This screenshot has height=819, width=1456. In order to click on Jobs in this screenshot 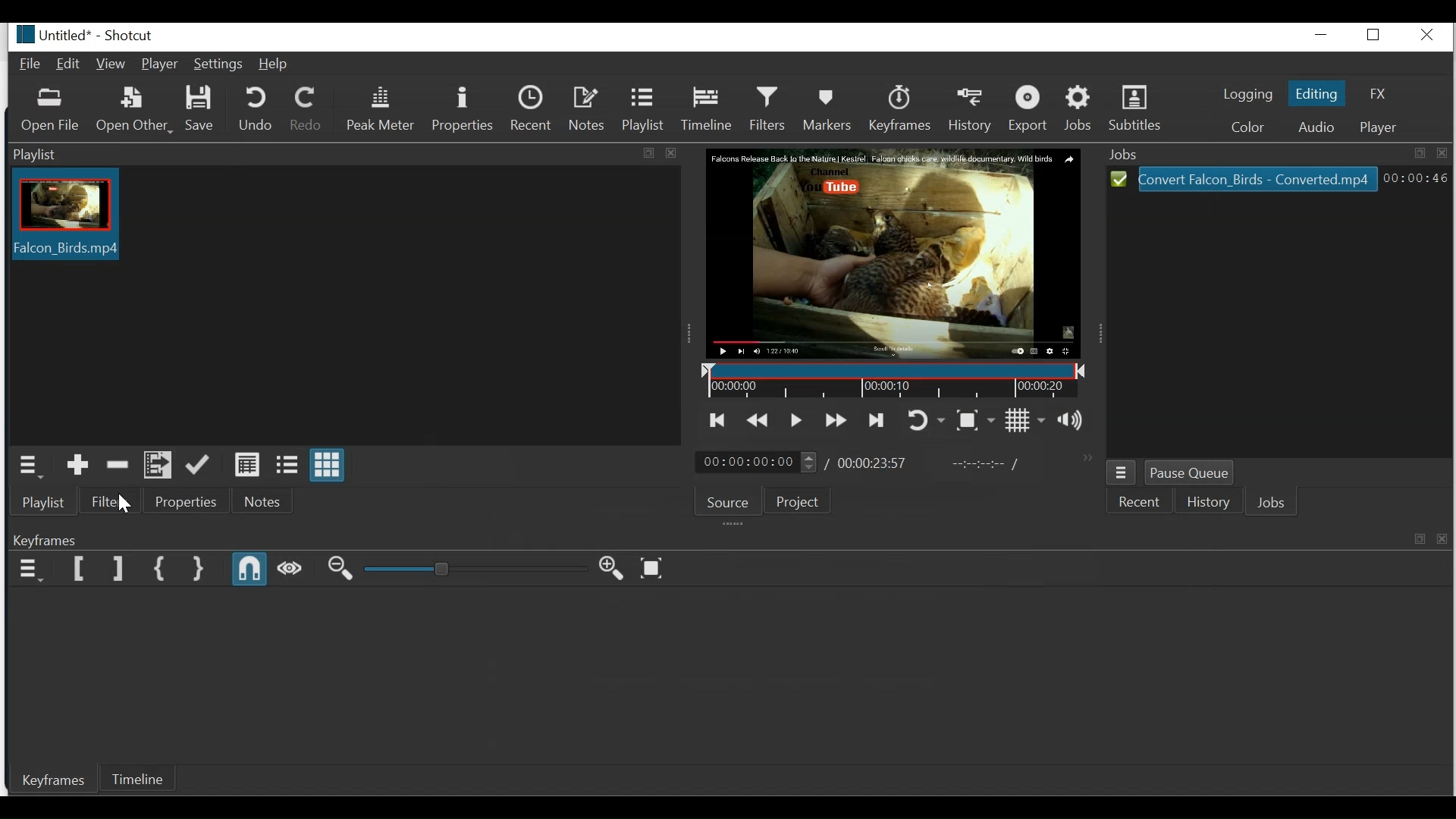, I will do `click(1272, 503)`.